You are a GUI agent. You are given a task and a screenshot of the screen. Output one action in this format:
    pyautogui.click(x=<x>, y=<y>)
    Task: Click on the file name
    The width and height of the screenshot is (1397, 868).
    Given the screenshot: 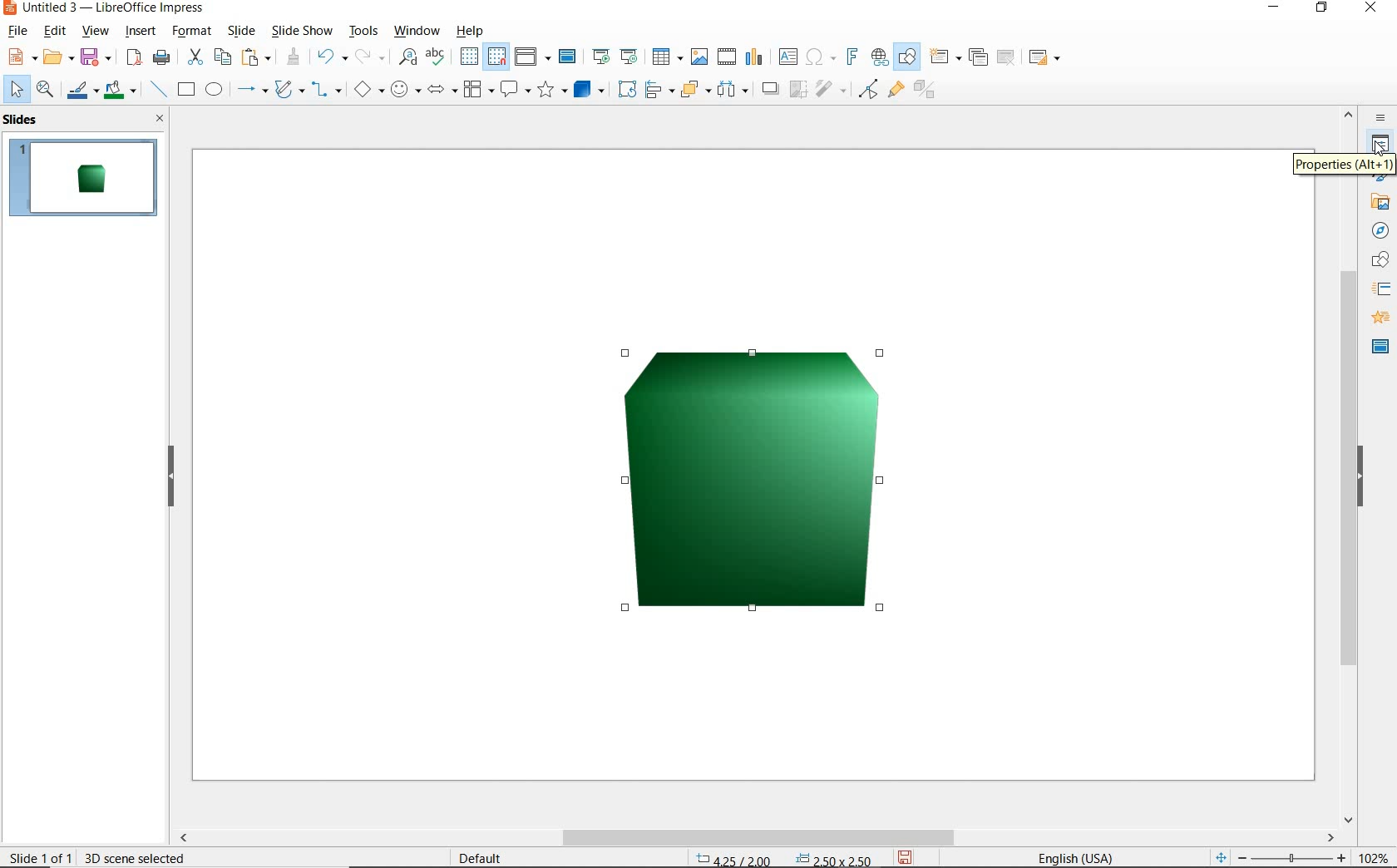 What is the action you would take?
    pyautogui.click(x=103, y=8)
    